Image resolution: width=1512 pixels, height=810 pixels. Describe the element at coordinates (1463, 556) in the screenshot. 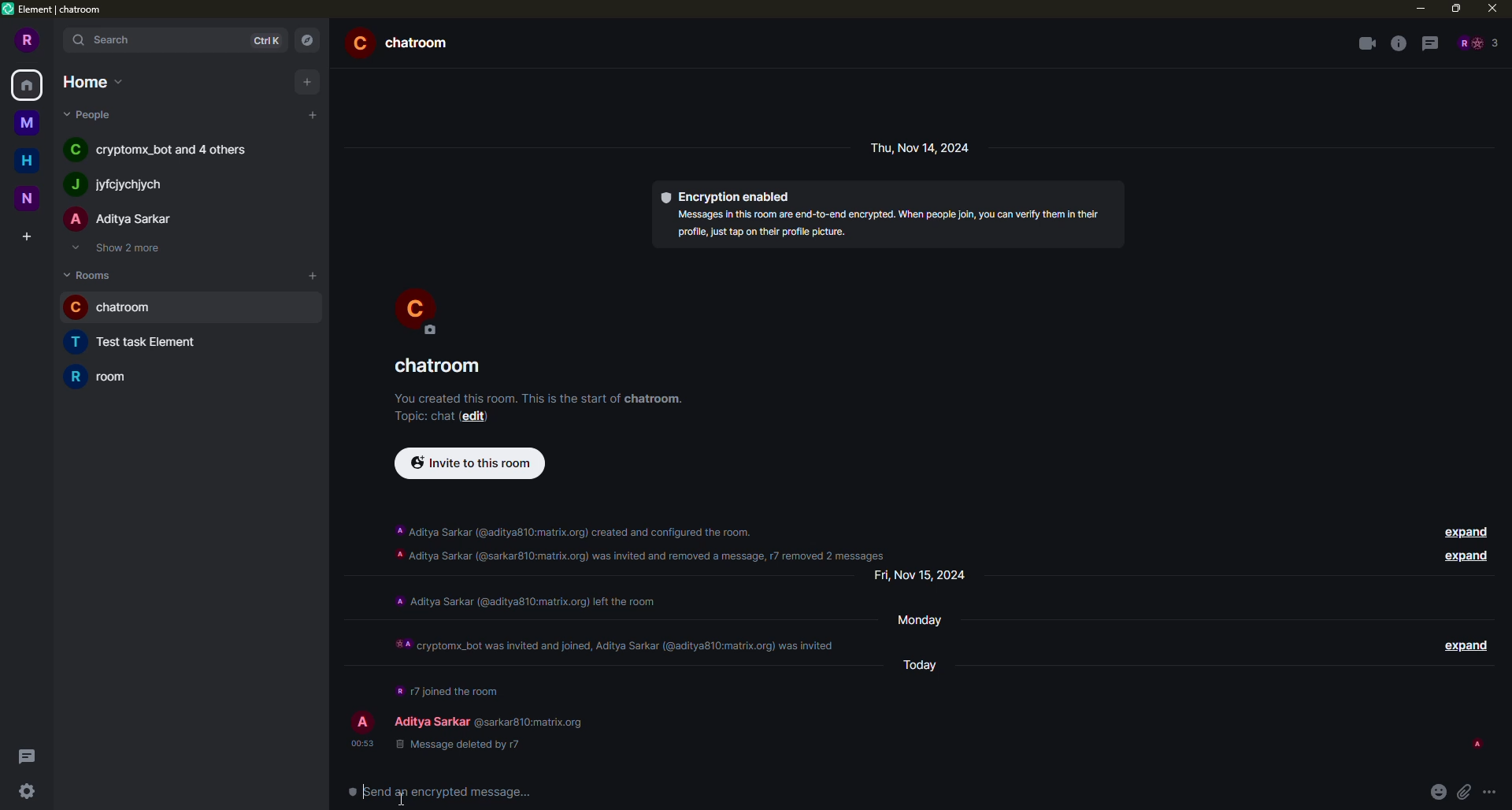

I see `expand` at that location.